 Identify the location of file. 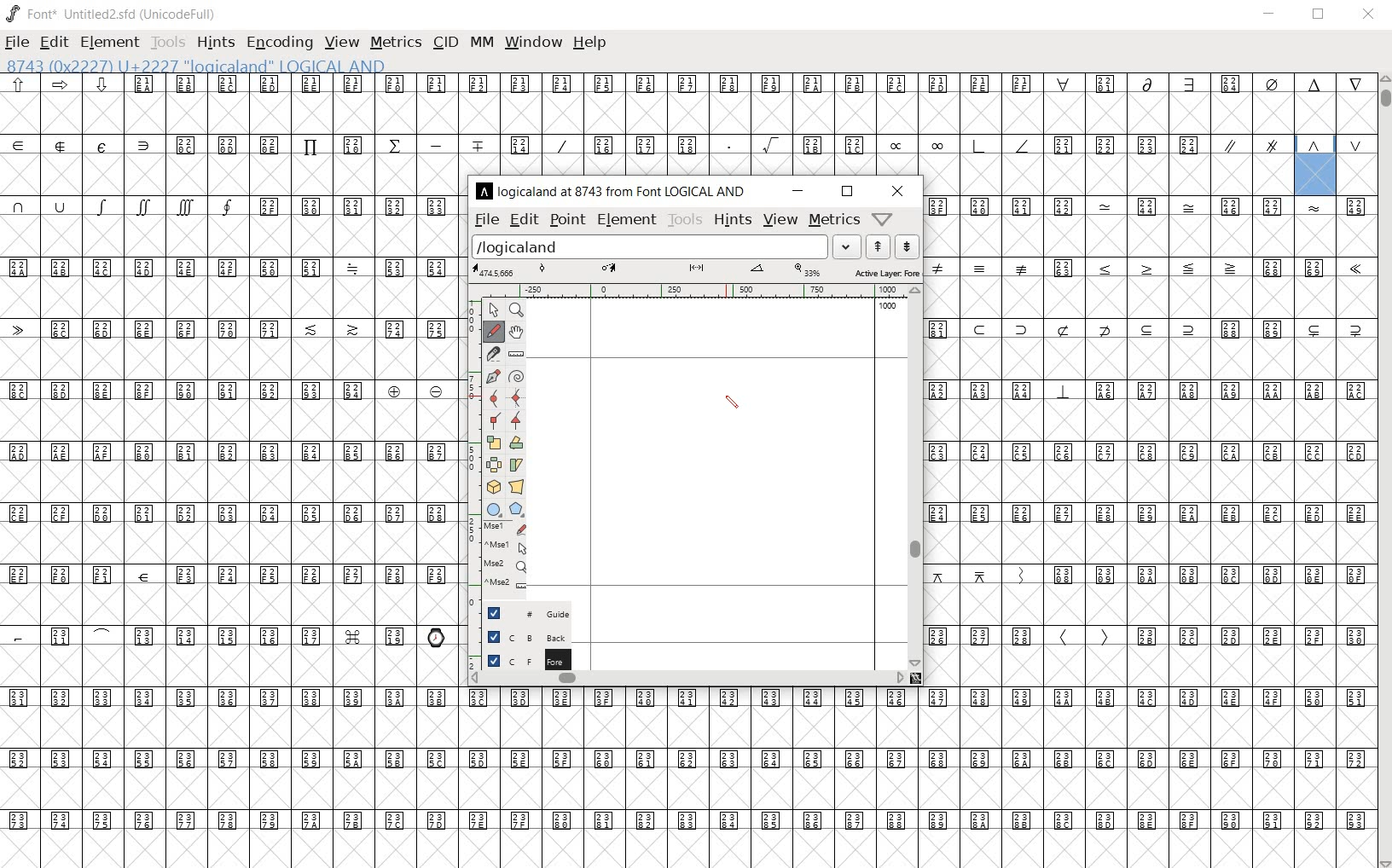
(485, 220).